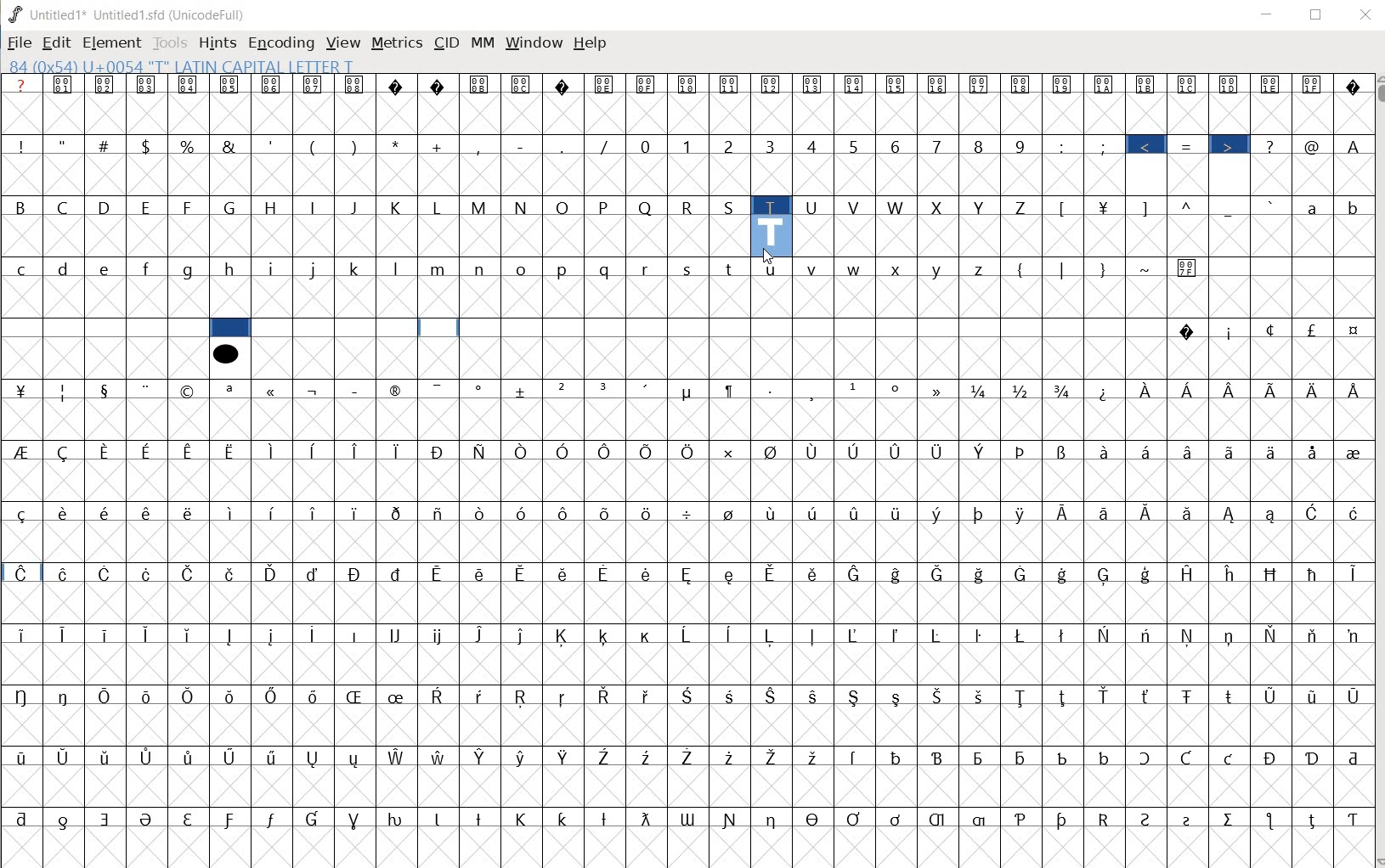 The width and height of the screenshot is (1385, 868). What do you see at coordinates (563, 512) in the screenshot?
I see `Symbol` at bounding box center [563, 512].